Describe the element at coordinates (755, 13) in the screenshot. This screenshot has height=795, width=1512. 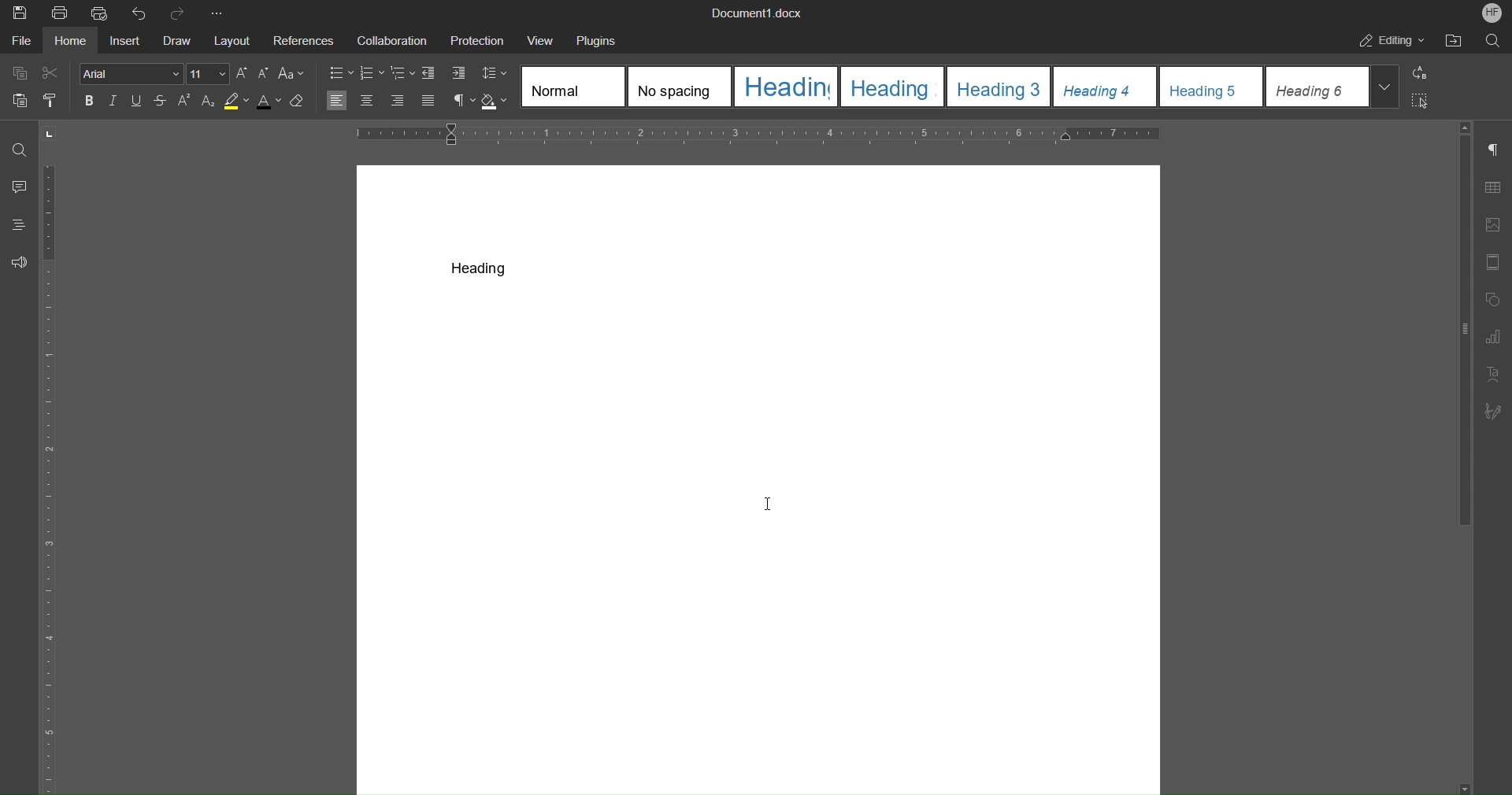
I see `Document.docx` at that location.